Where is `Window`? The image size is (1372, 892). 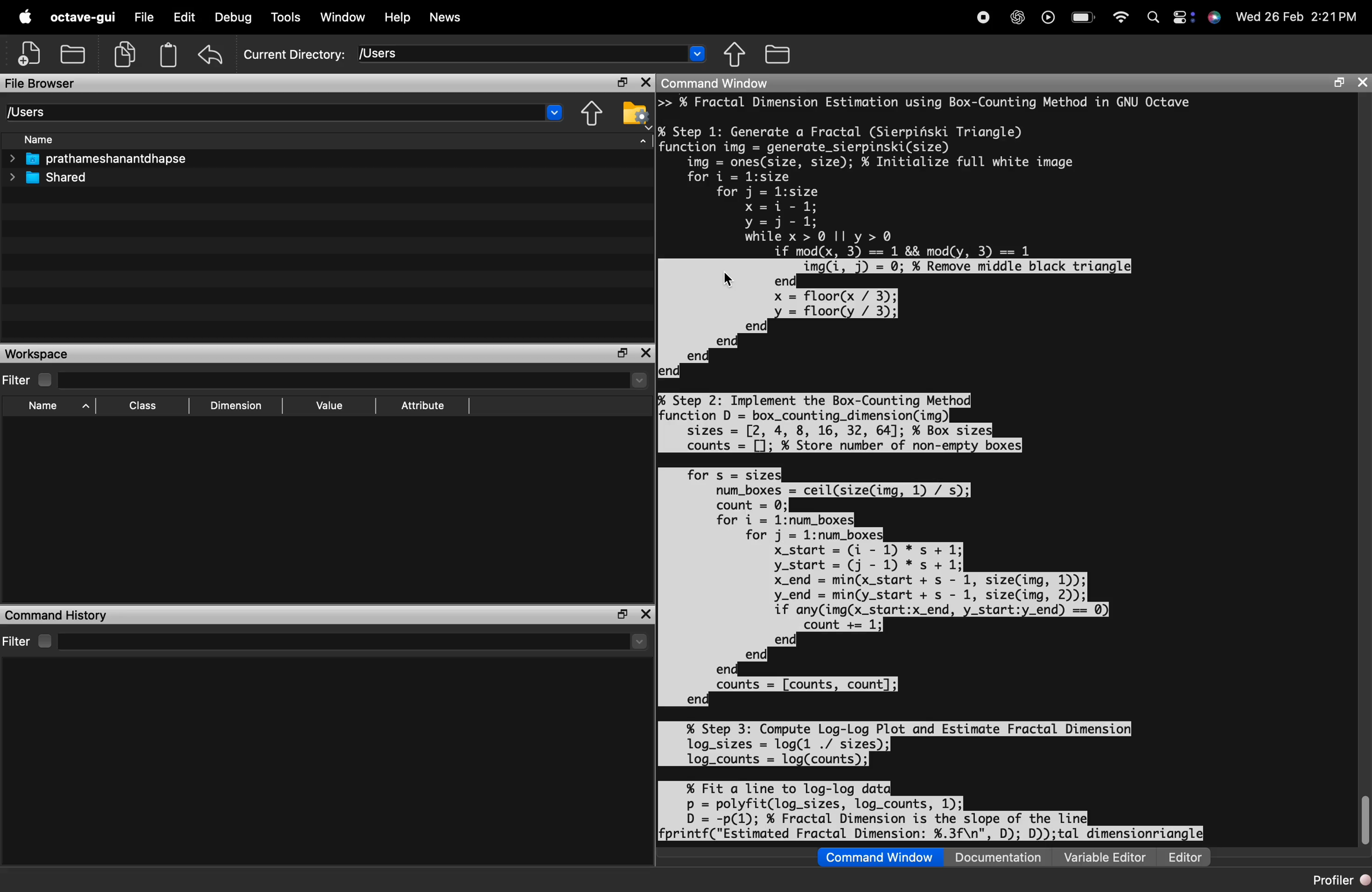 Window is located at coordinates (345, 19).